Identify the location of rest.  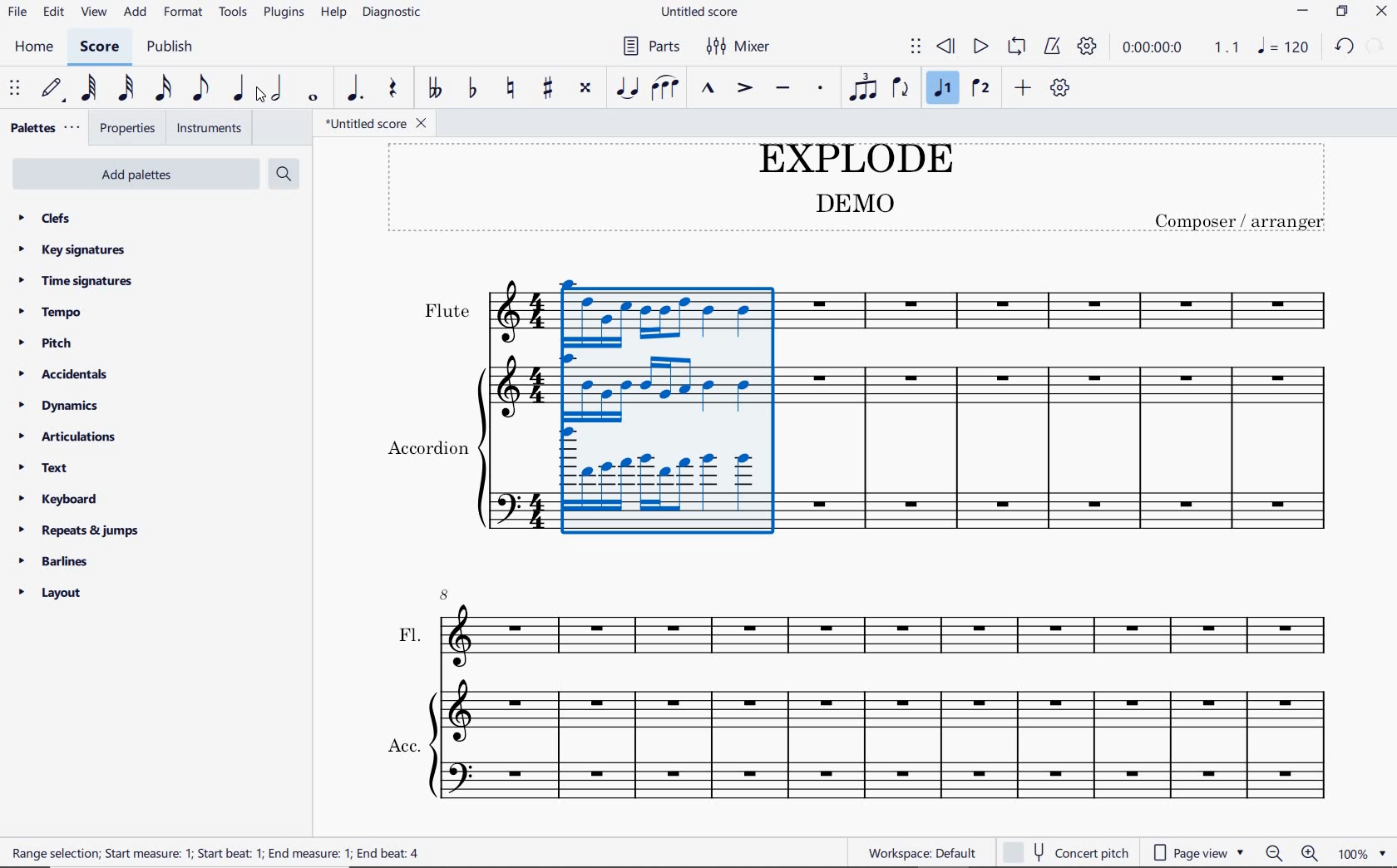
(394, 89).